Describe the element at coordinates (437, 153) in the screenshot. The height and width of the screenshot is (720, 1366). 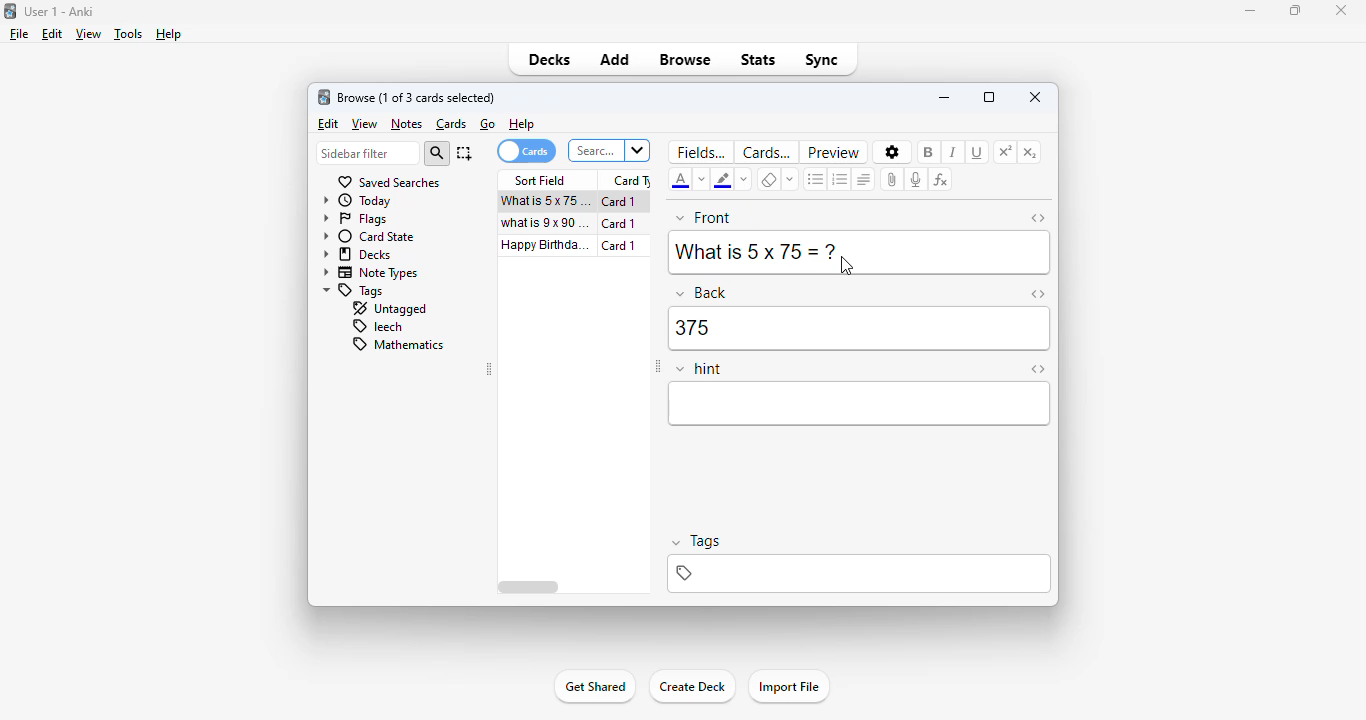
I see `search` at that location.